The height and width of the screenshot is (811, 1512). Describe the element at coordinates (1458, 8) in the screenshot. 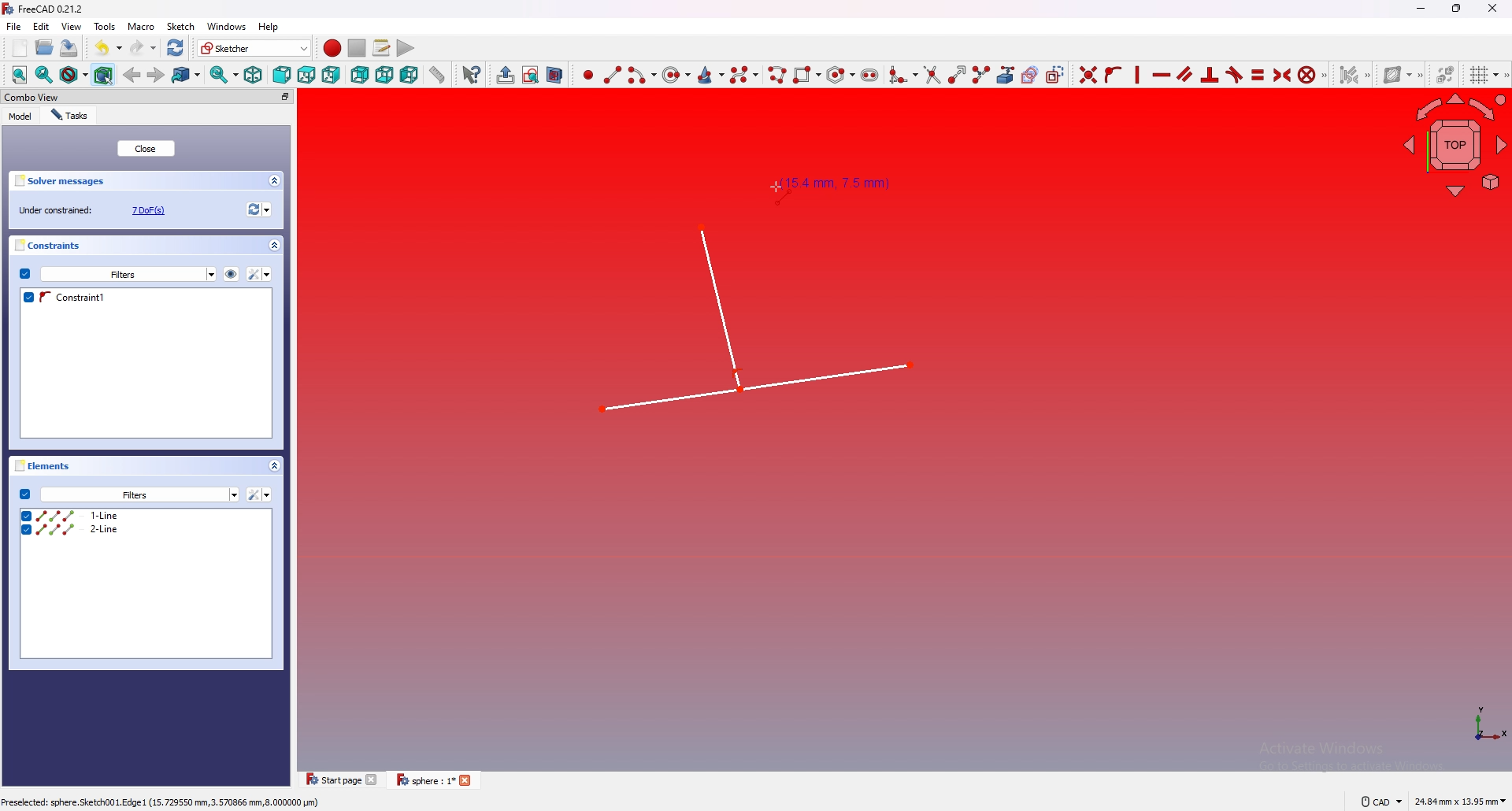

I see `Restore down` at that location.